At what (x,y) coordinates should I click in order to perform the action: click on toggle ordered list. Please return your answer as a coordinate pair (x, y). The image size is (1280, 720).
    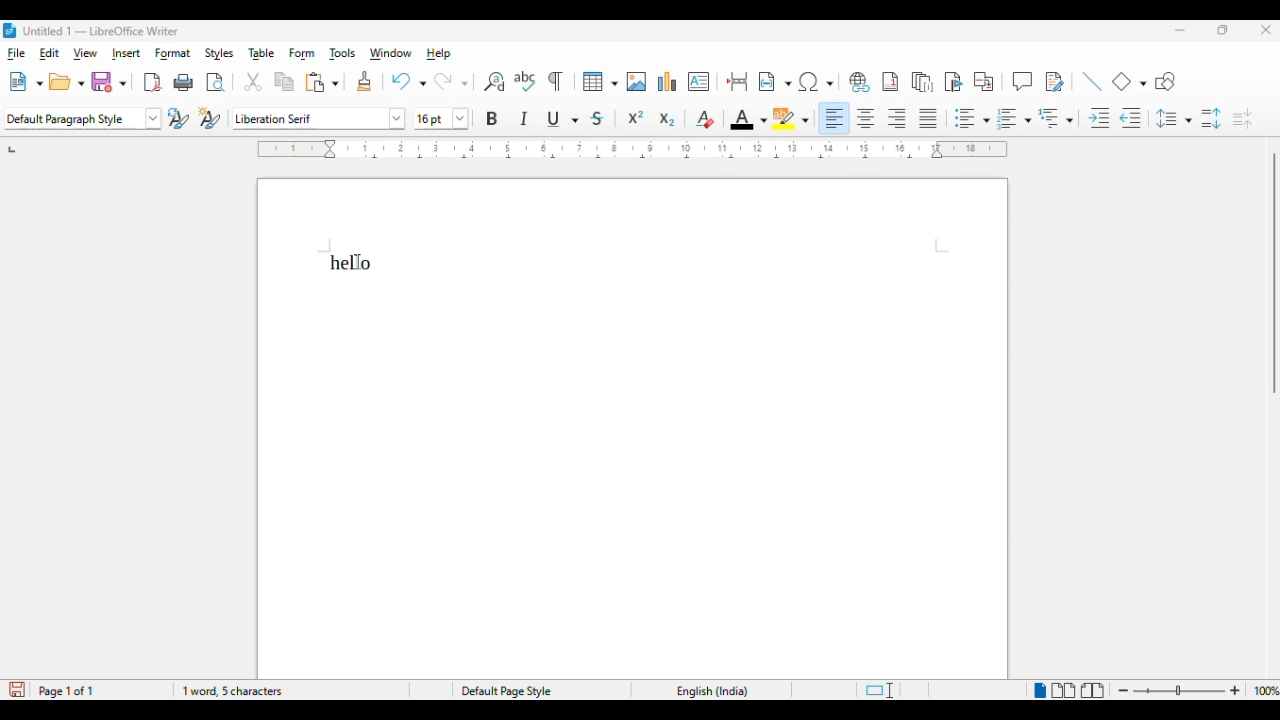
    Looking at the image, I should click on (1014, 118).